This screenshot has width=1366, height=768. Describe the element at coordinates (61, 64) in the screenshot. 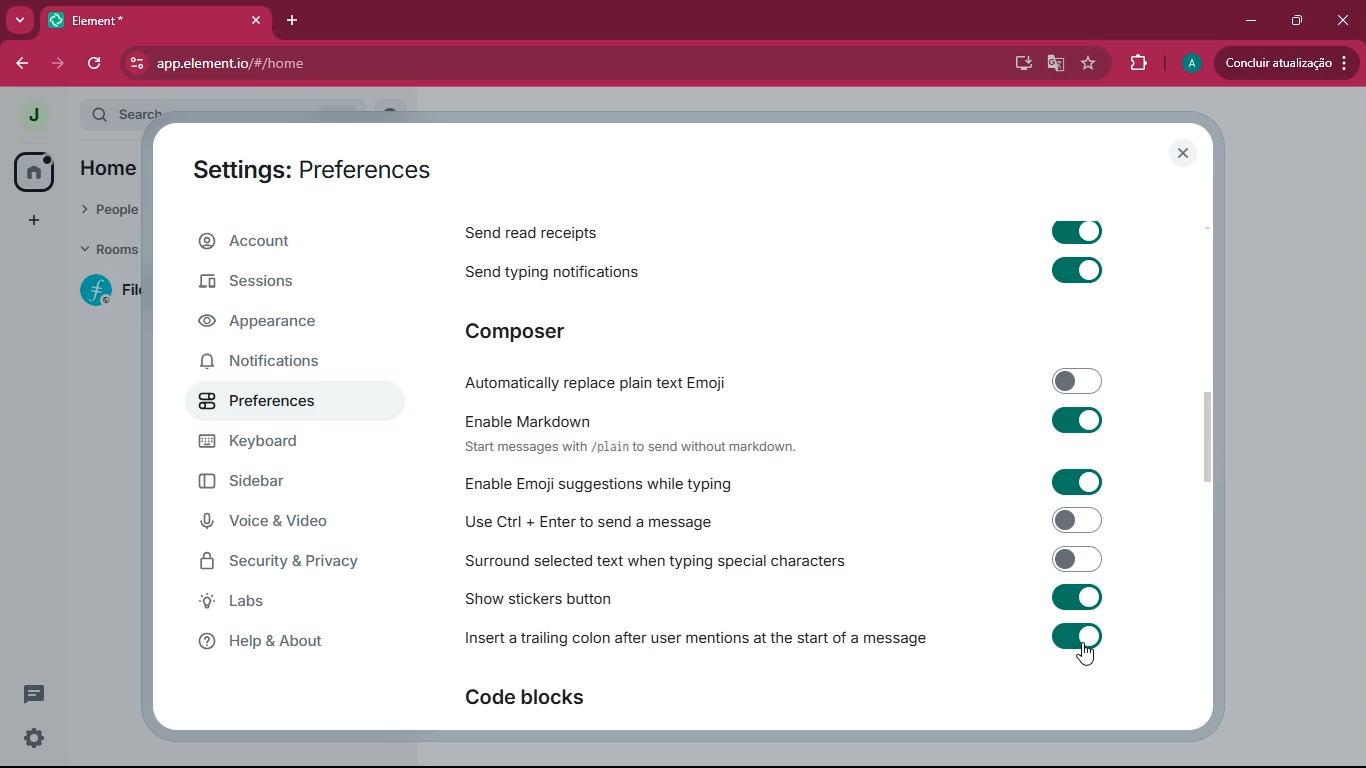

I see `forward` at that location.